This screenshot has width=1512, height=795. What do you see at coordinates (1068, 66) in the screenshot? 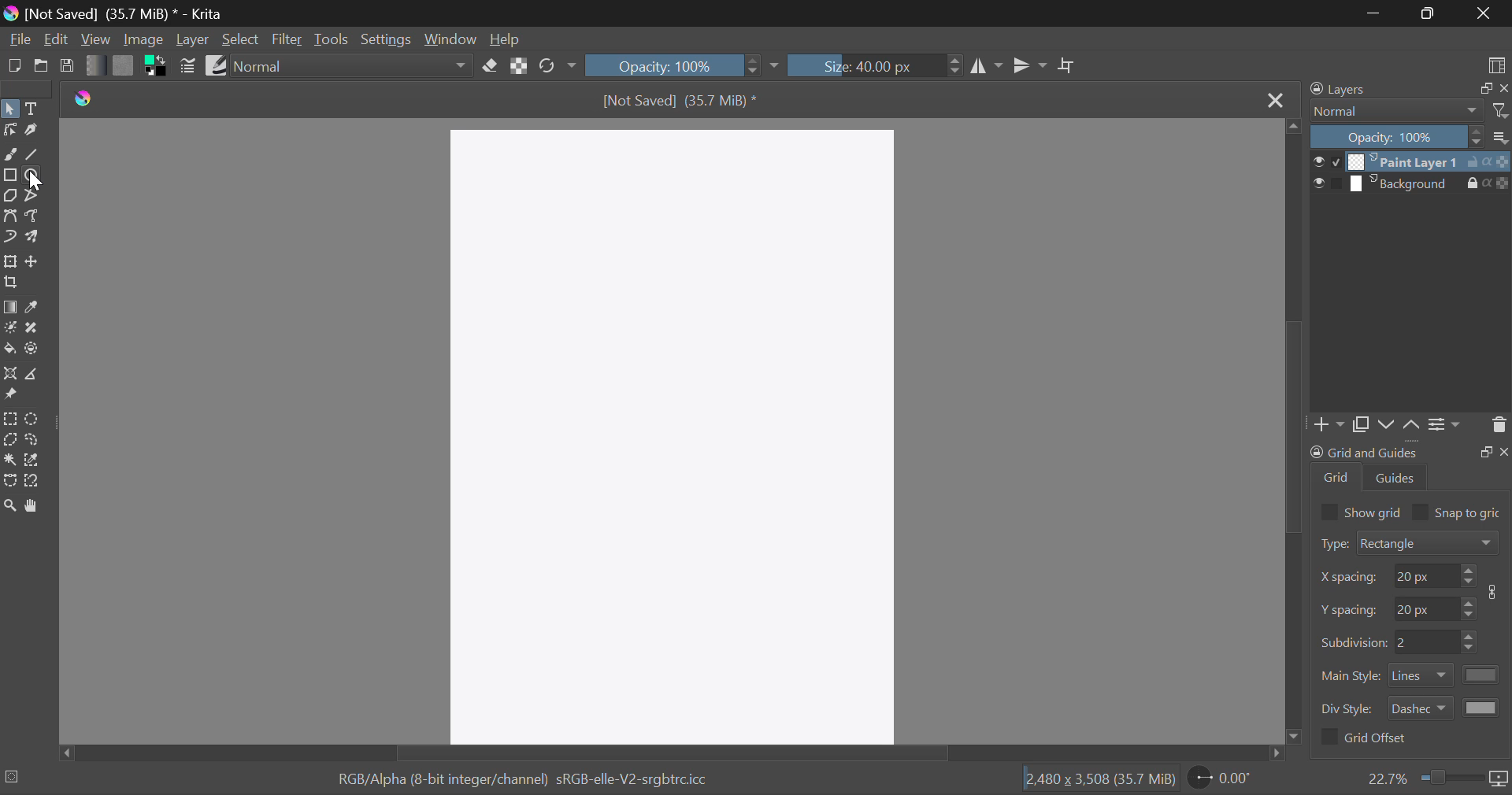
I see `Crop` at bounding box center [1068, 66].